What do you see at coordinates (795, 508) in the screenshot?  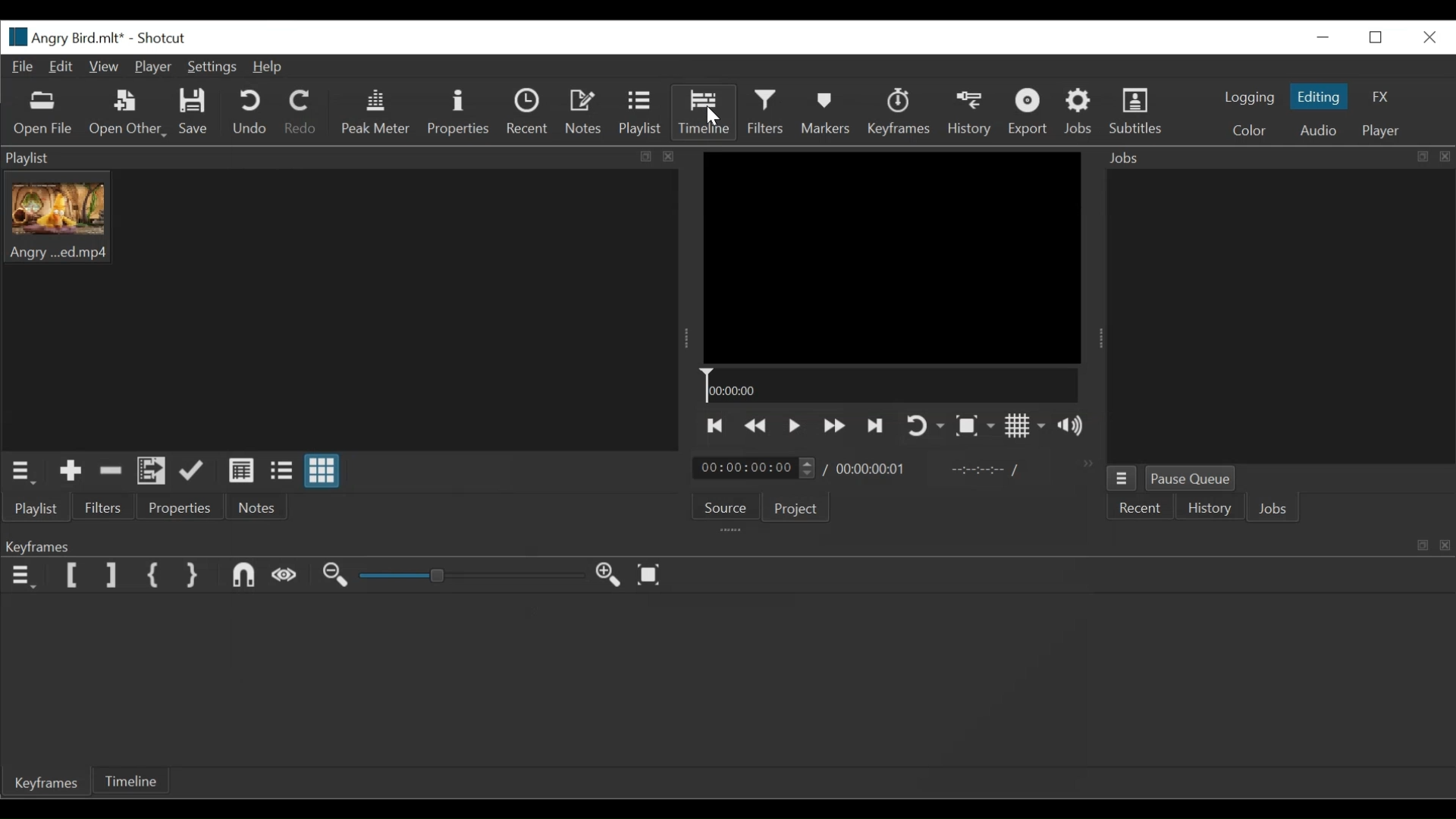 I see `Project` at bounding box center [795, 508].